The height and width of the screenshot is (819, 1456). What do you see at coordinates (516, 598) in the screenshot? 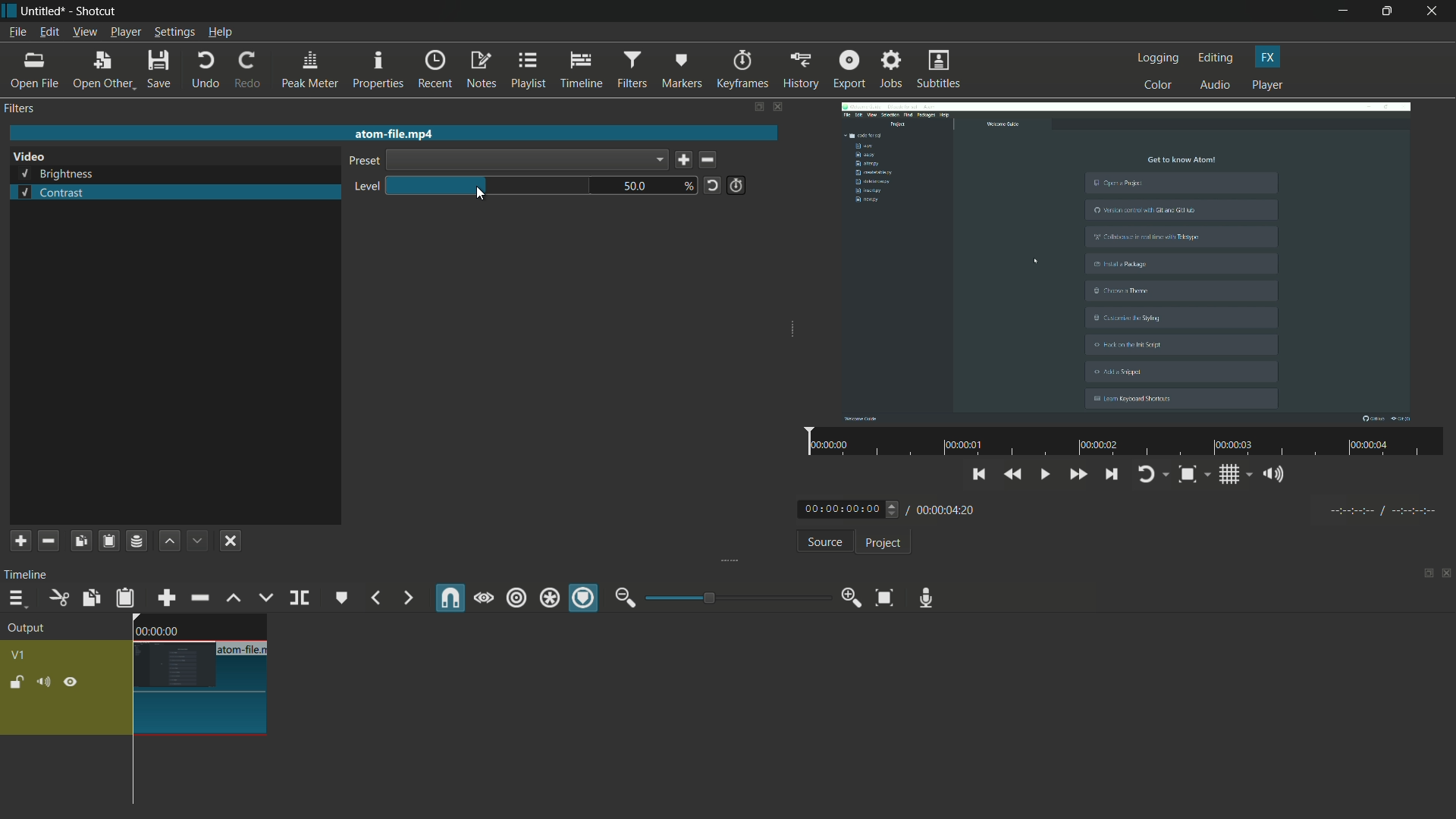
I see `ripple` at bounding box center [516, 598].